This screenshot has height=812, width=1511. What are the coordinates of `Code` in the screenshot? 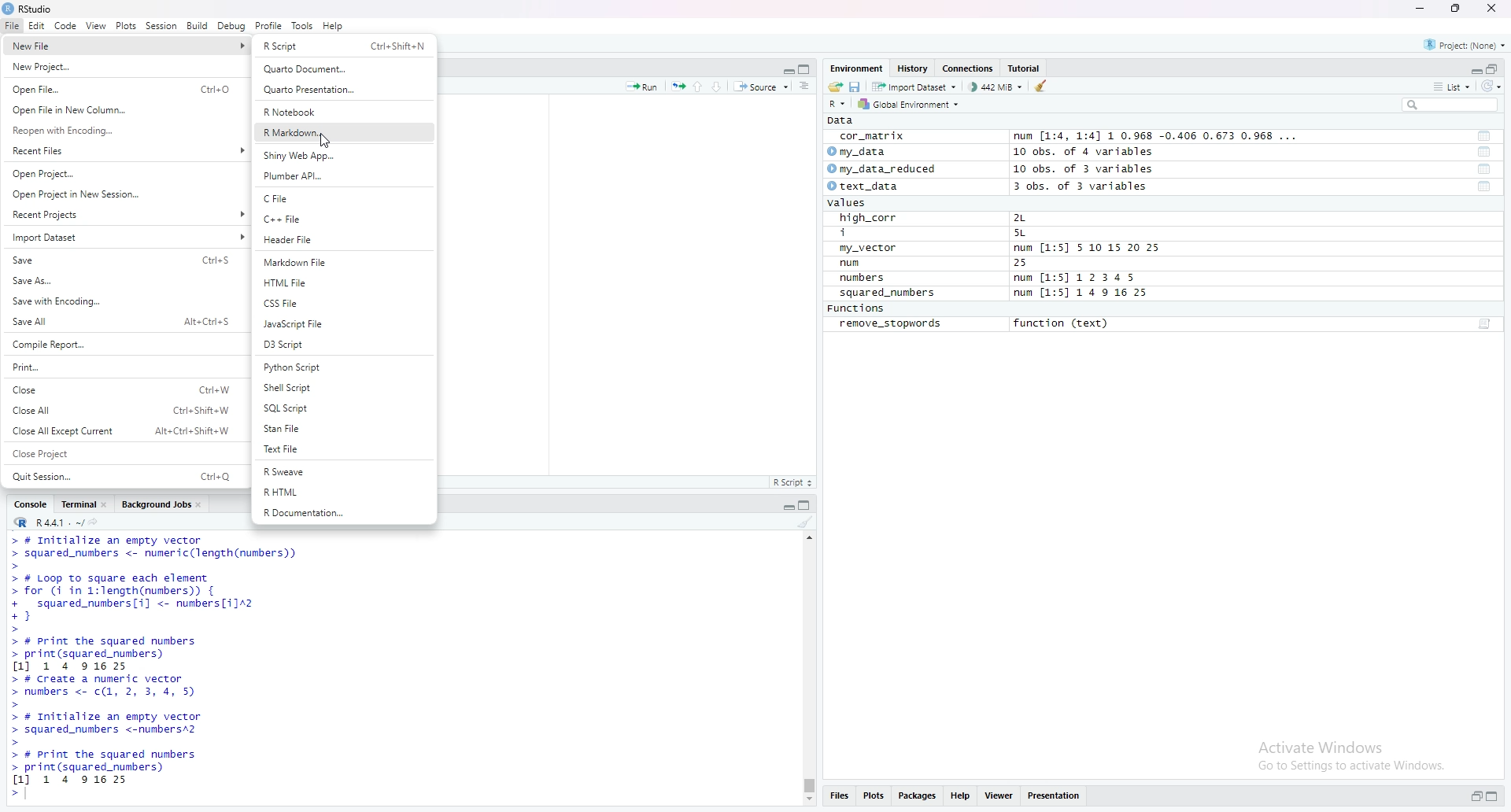 It's located at (65, 26).